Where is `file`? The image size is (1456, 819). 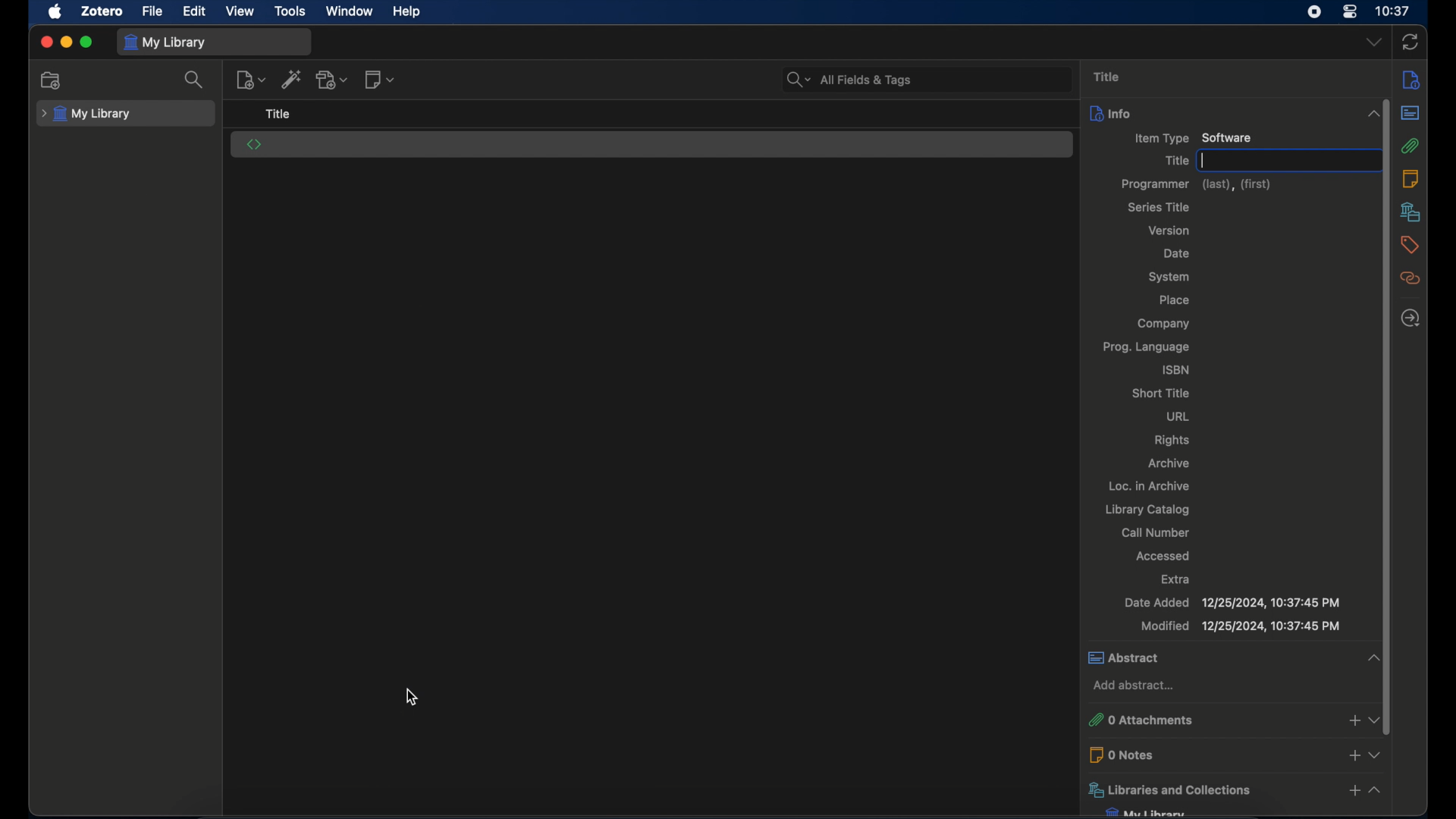
file is located at coordinates (153, 12).